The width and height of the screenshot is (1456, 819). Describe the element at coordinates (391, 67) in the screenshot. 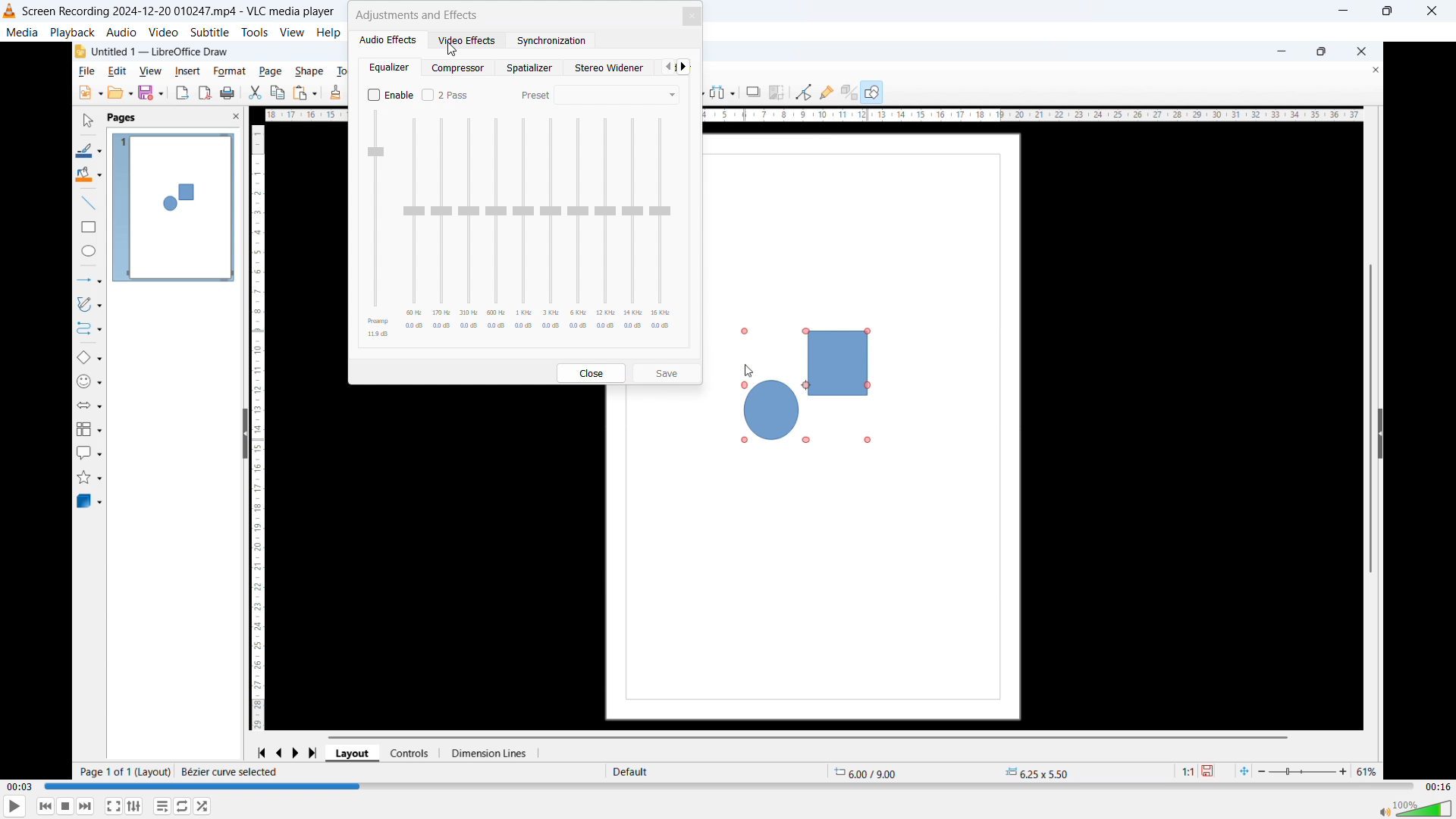

I see `equaliser ` at that location.